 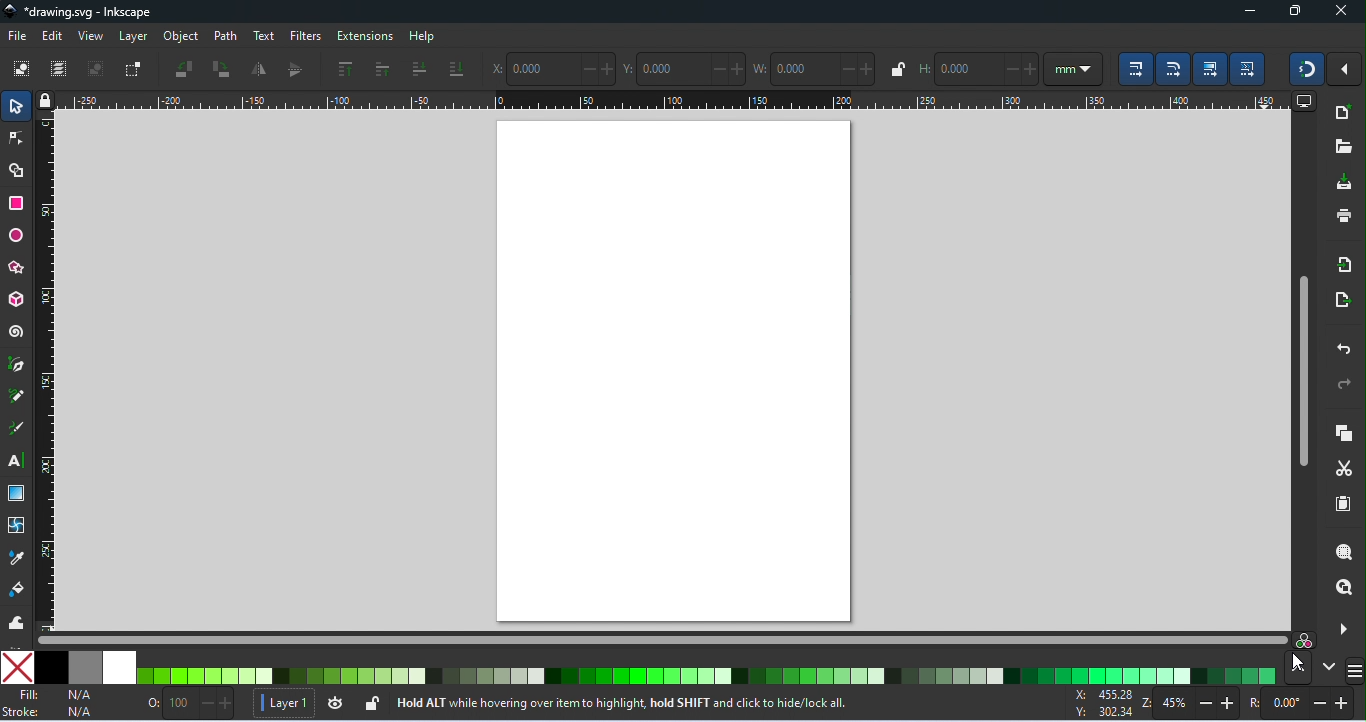 What do you see at coordinates (456, 71) in the screenshot?
I see `lower to botton` at bounding box center [456, 71].